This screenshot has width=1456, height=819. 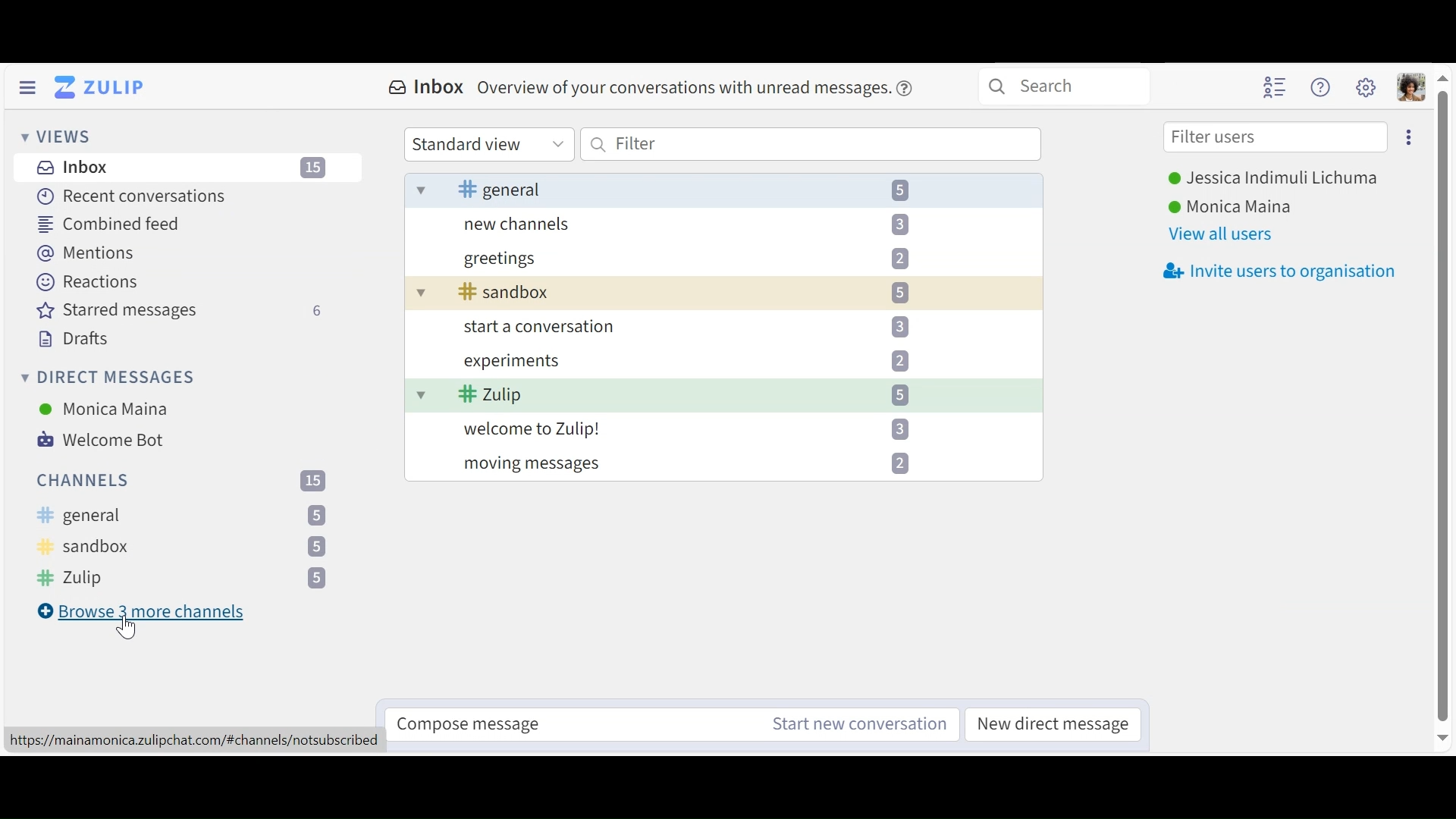 I want to click on Start new message, so click(x=858, y=725).